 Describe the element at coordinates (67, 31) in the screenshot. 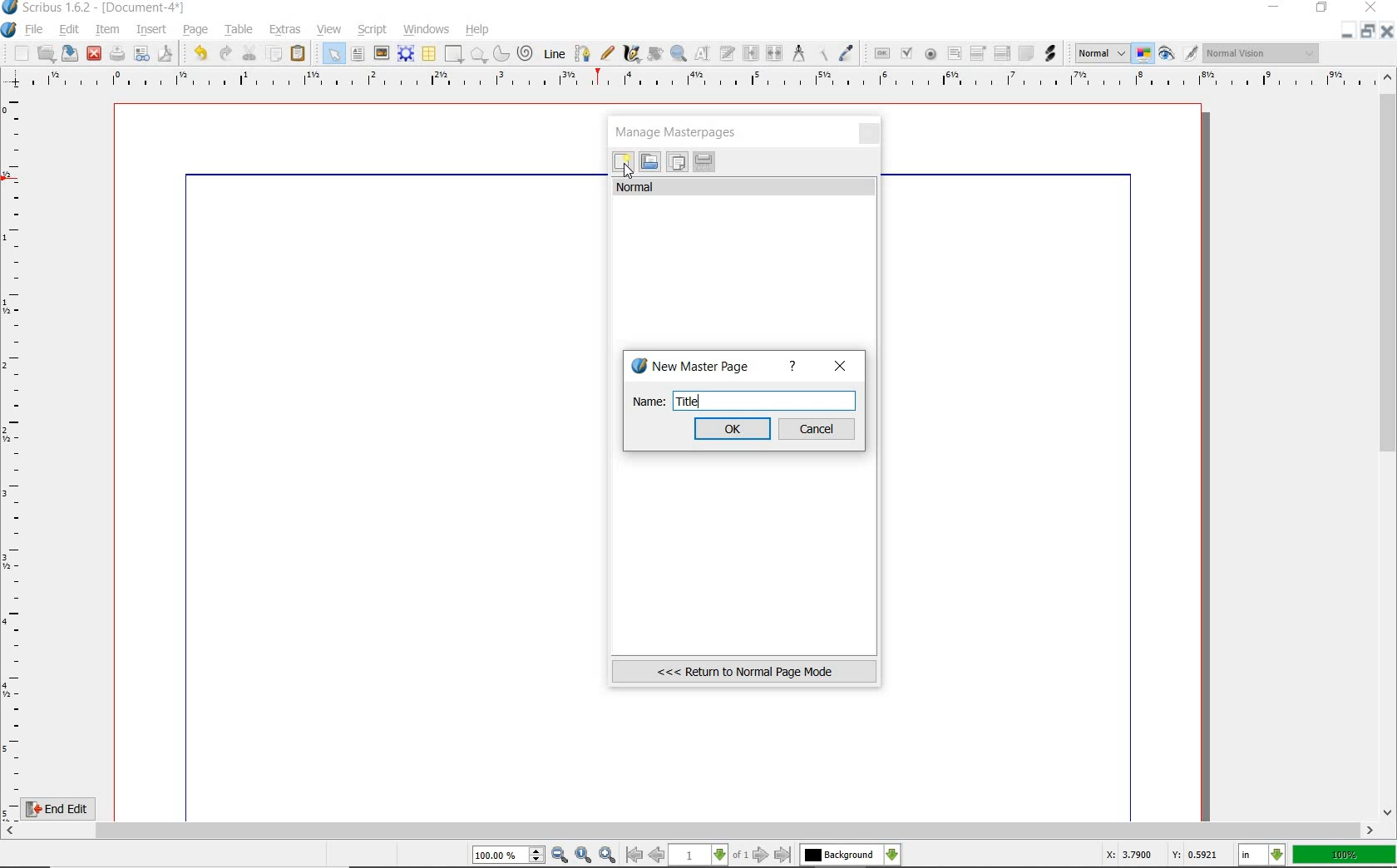

I see `edit` at that location.